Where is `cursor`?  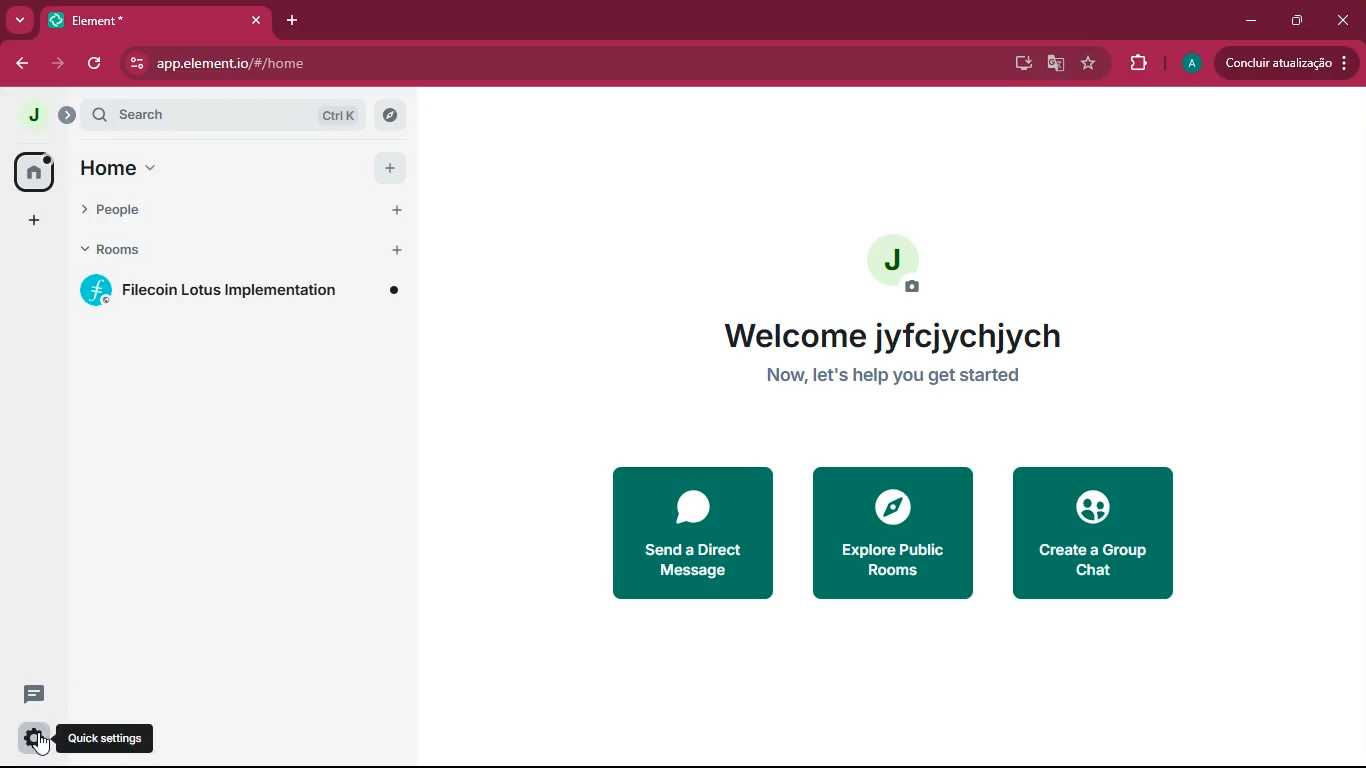 cursor is located at coordinates (43, 744).